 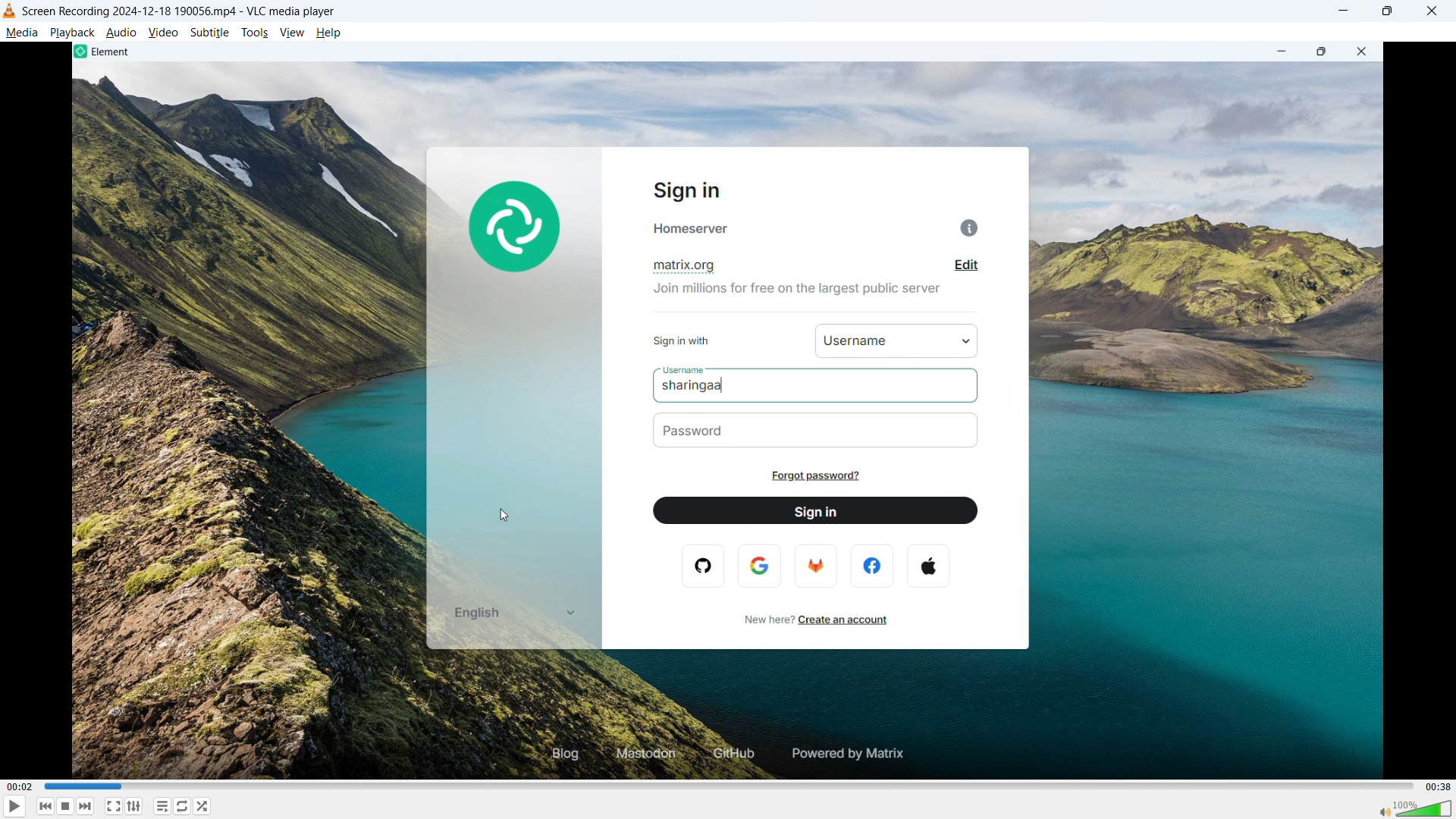 What do you see at coordinates (162, 806) in the screenshot?
I see `Toggle playlist ` at bounding box center [162, 806].